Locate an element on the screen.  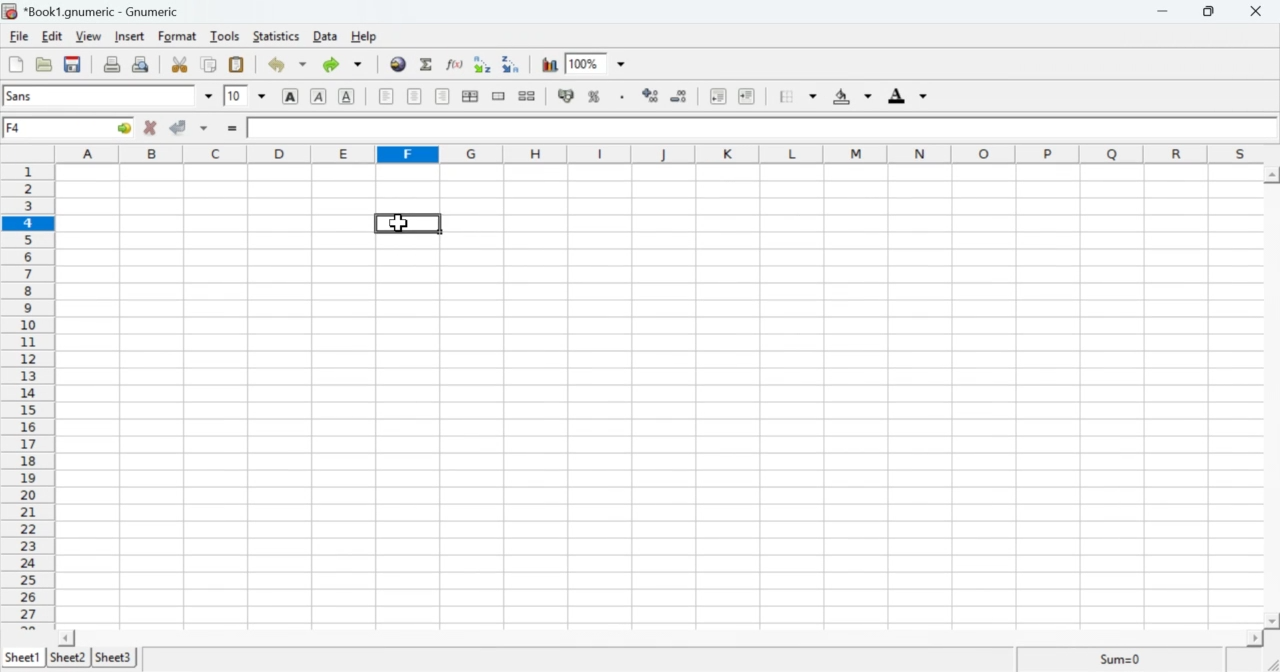
Foreground is located at coordinates (904, 95).